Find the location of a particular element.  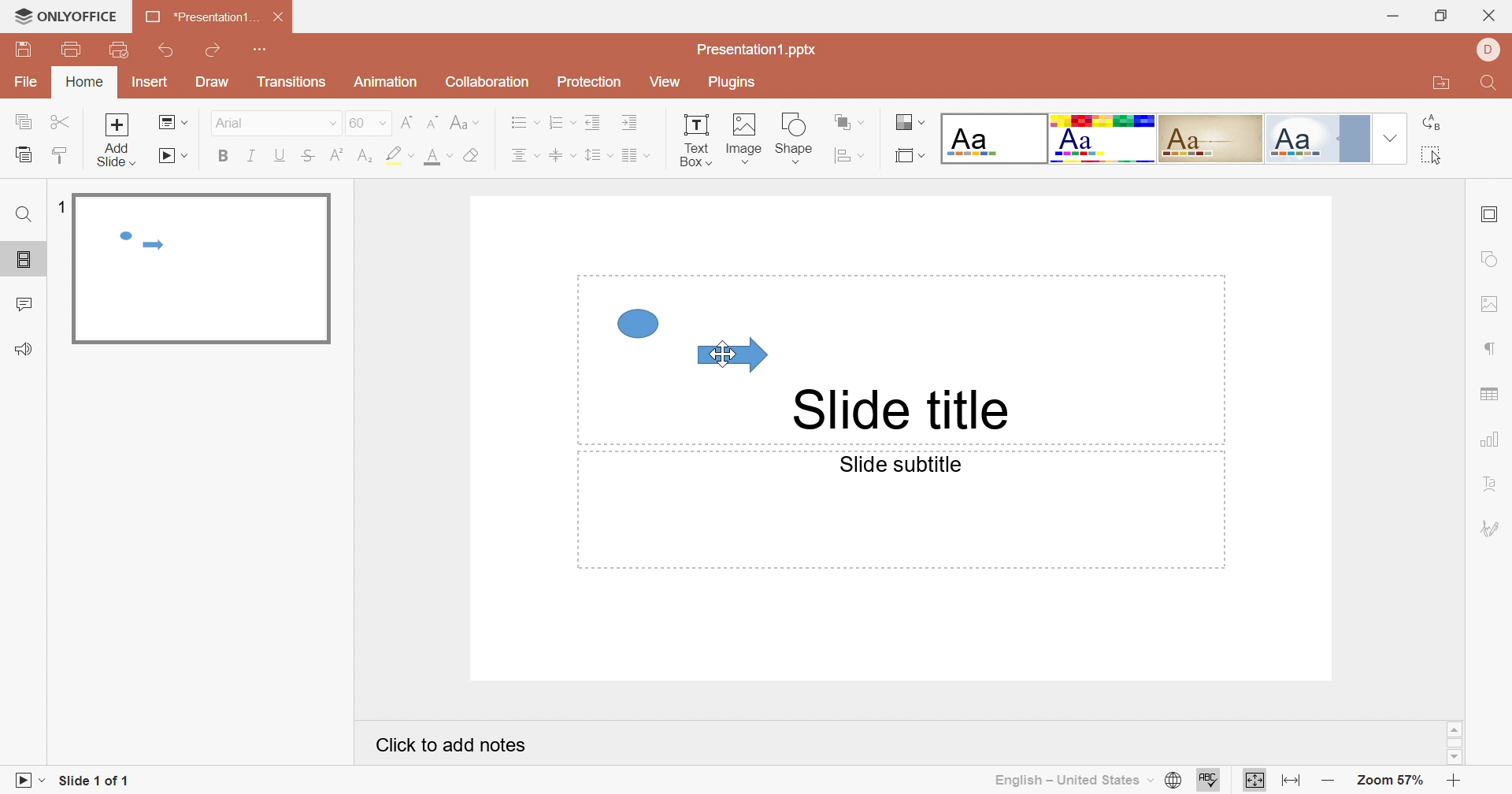

Customize Quick Access Toolbar is located at coordinates (261, 50).